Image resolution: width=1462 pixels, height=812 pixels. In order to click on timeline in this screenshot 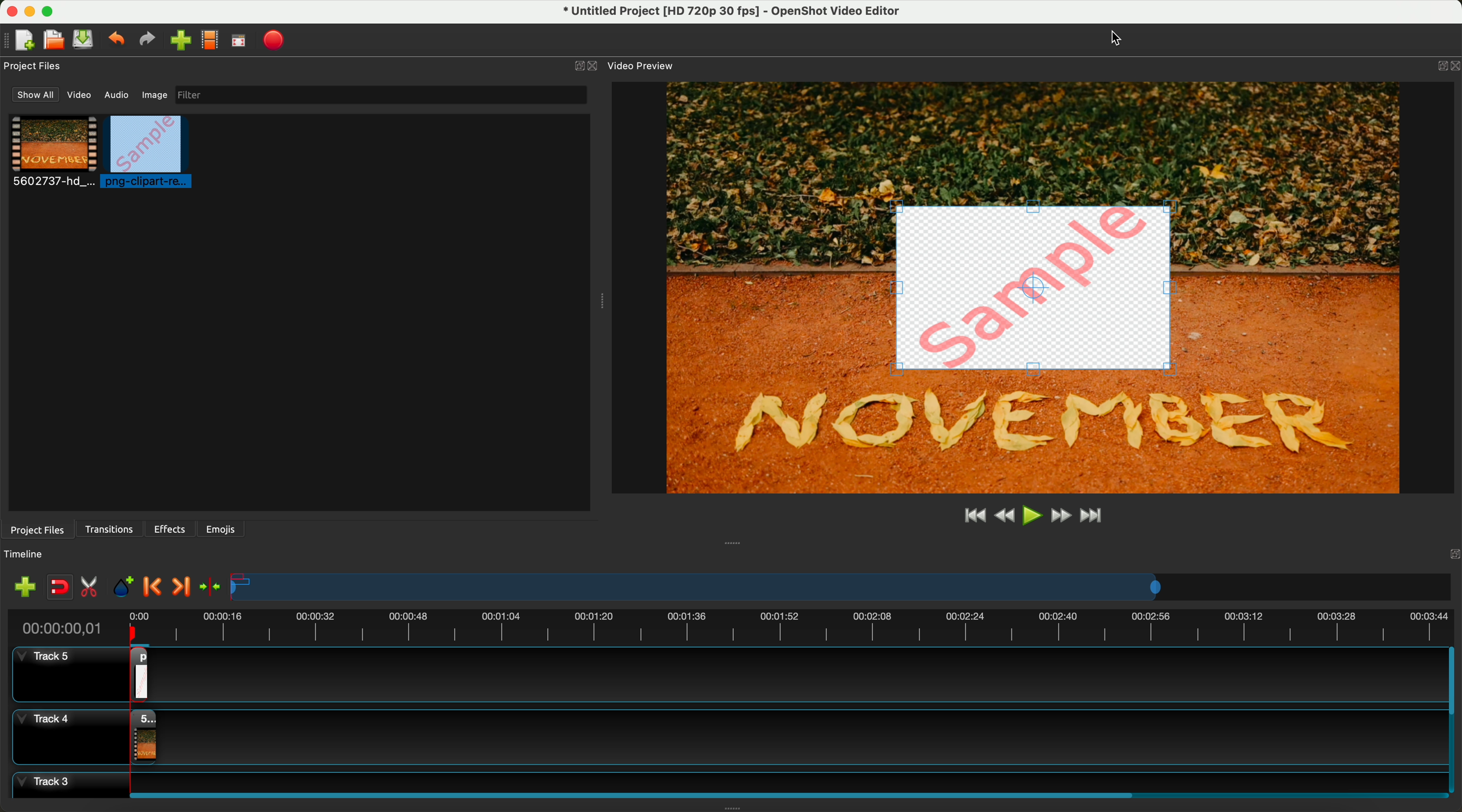, I will do `click(730, 626)`.